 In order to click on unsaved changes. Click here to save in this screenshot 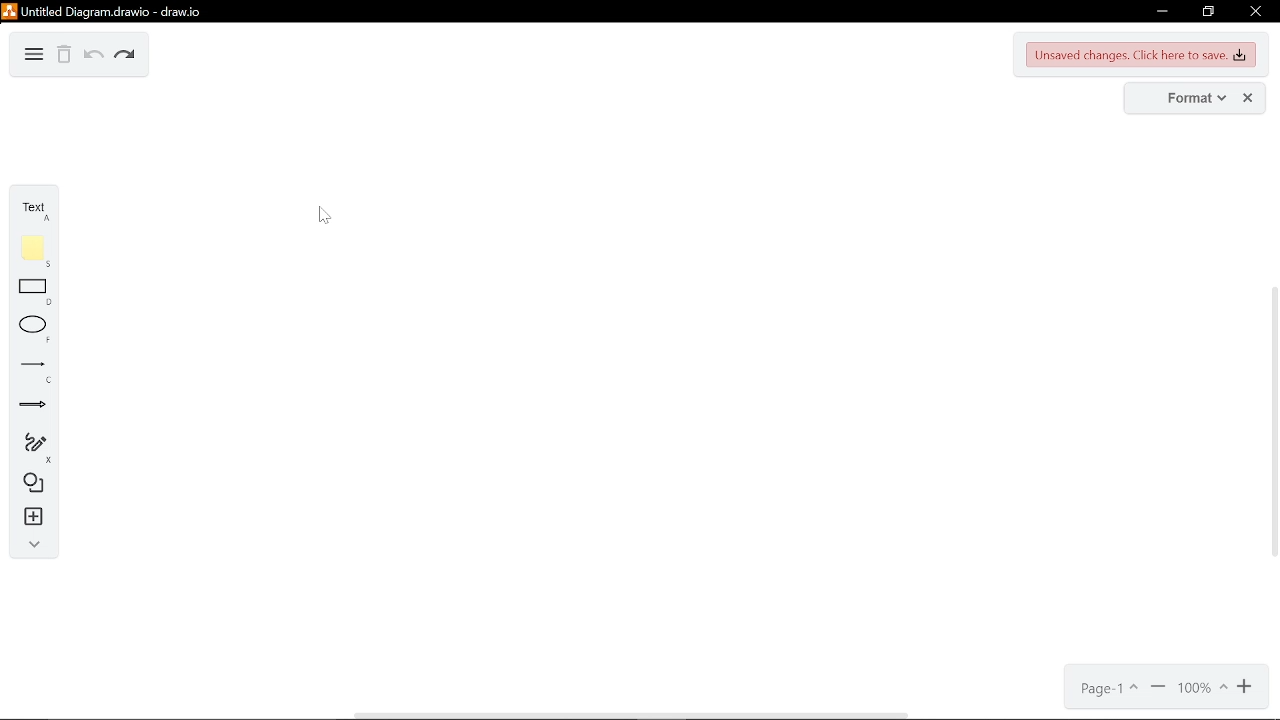, I will do `click(1142, 55)`.